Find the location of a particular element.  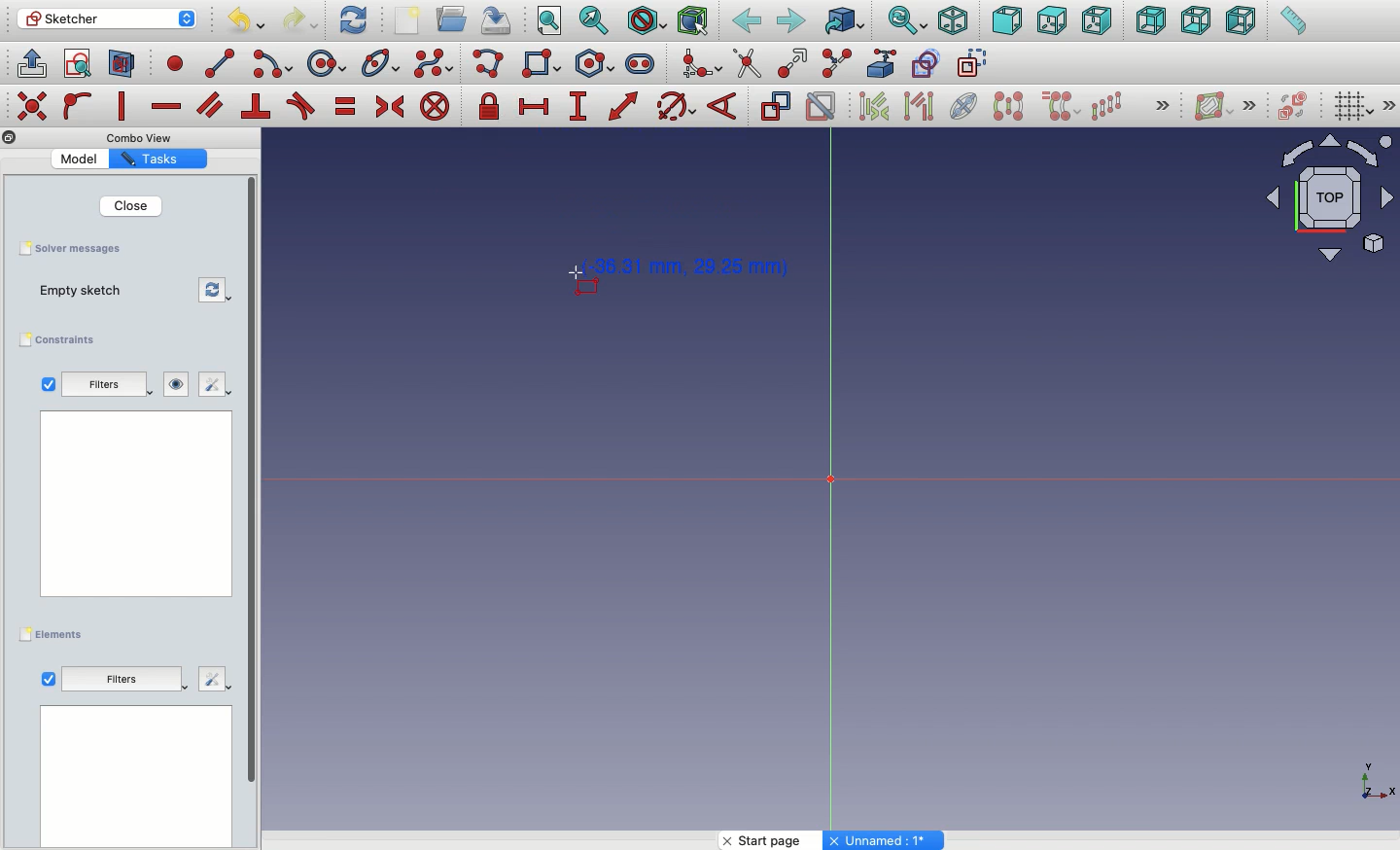

Empty sketch  is located at coordinates (90, 292).